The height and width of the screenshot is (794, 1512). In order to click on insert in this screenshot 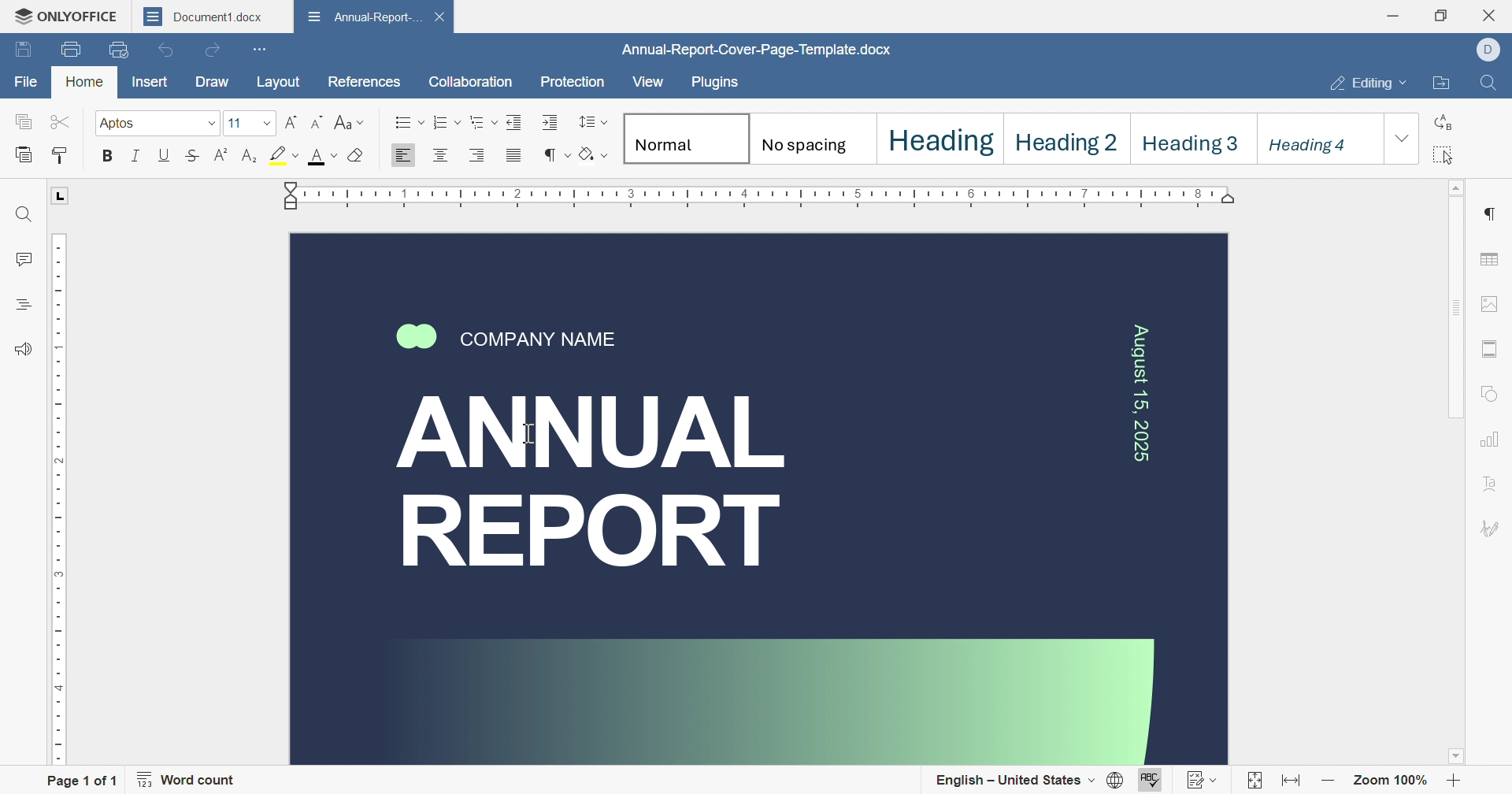, I will do `click(156, 83)`.